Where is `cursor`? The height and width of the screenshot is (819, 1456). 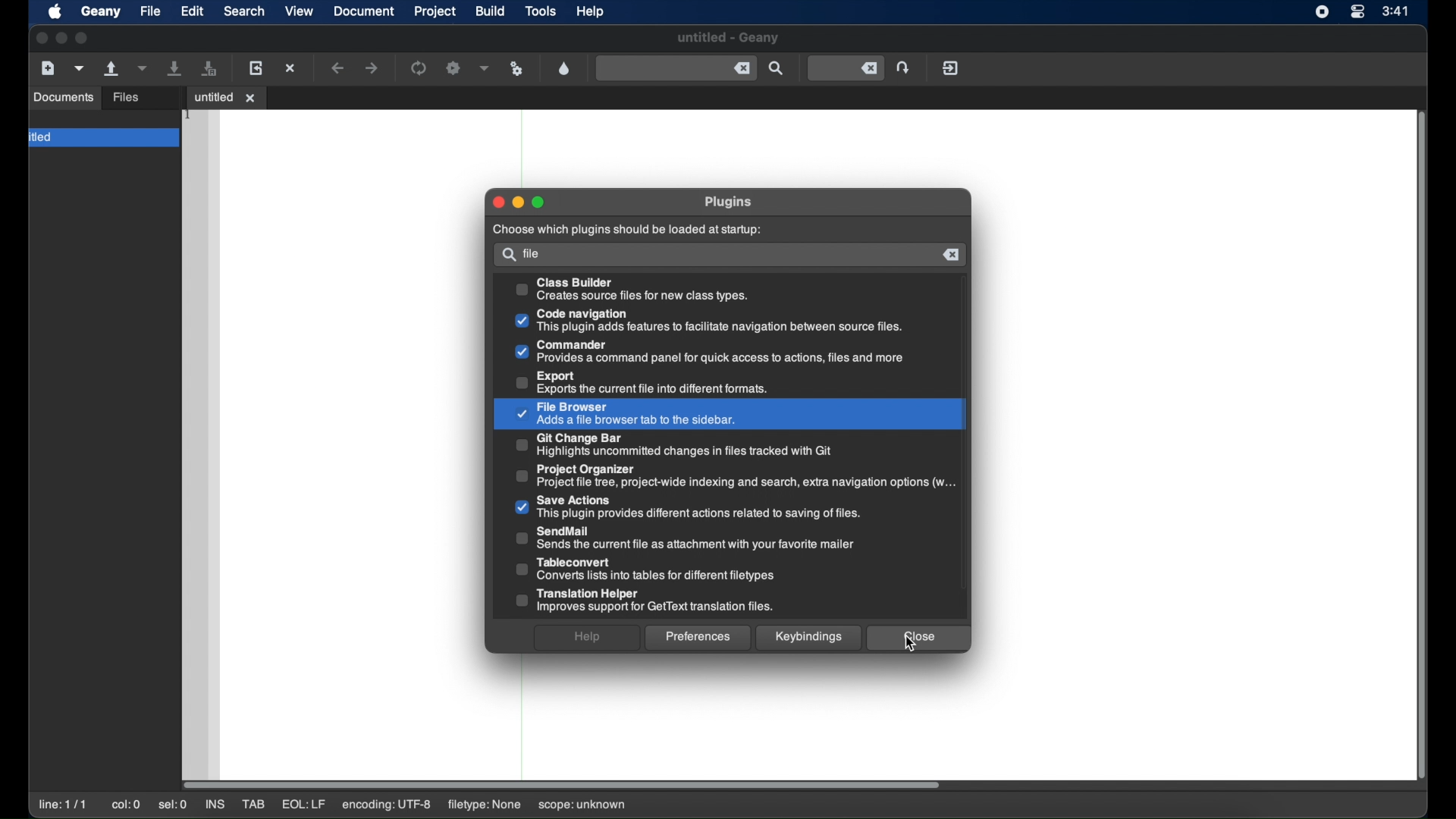 cursor is located at coordinates (915, 646).